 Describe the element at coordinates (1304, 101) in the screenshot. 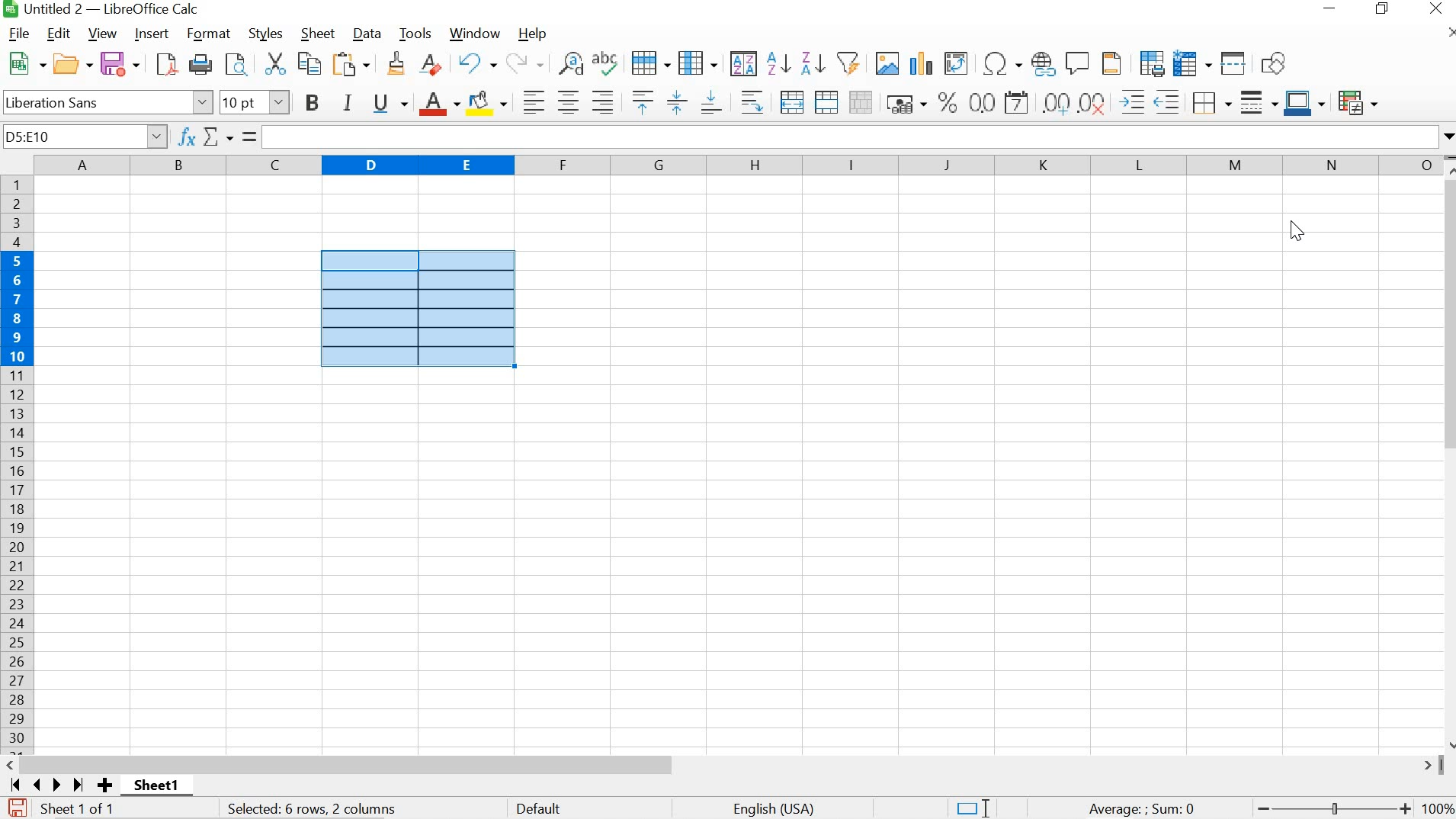

I see `BORDER COLOR` at that location.